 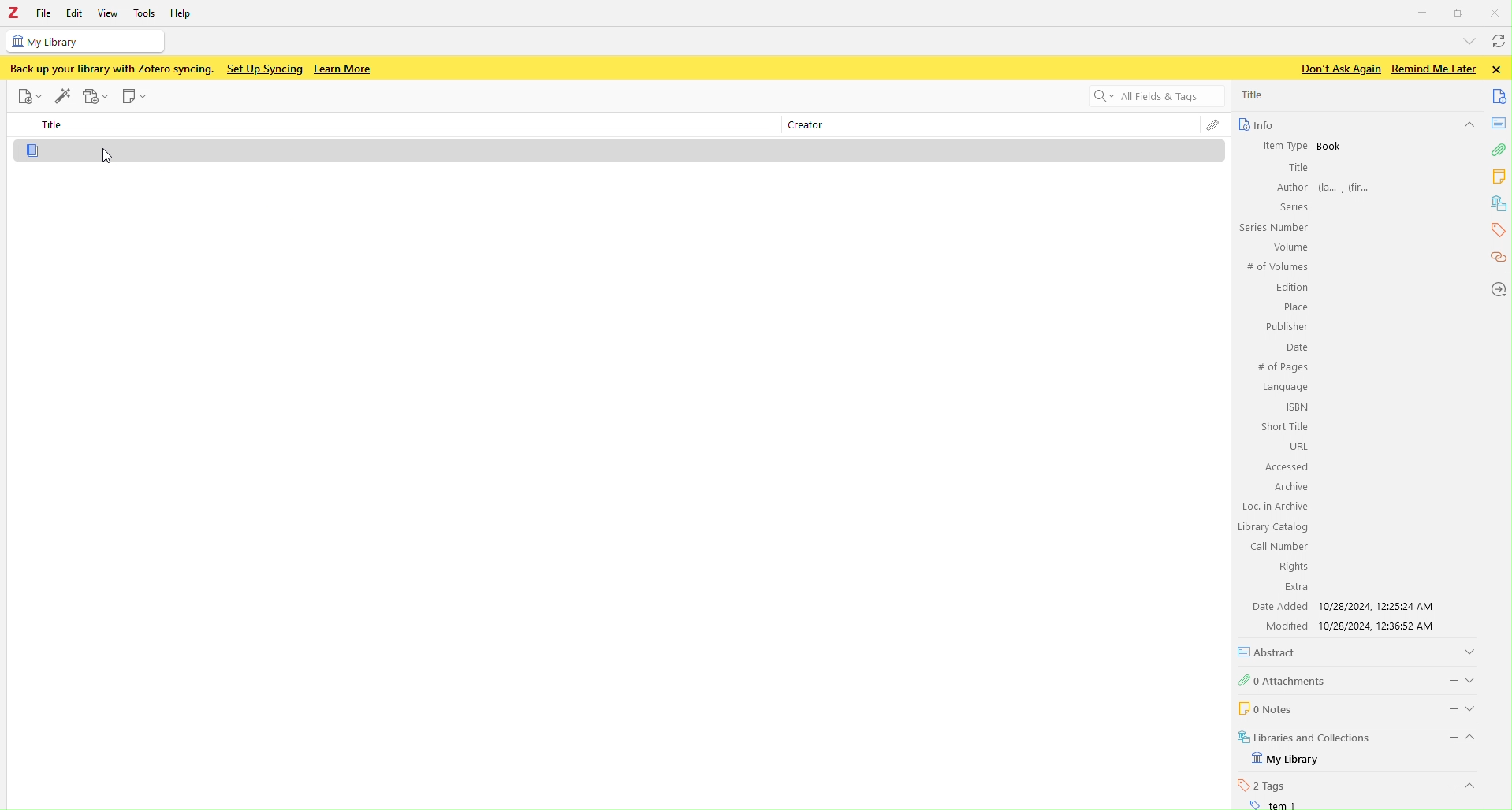 I want to click on Edition, so click(x=1292, y=288).